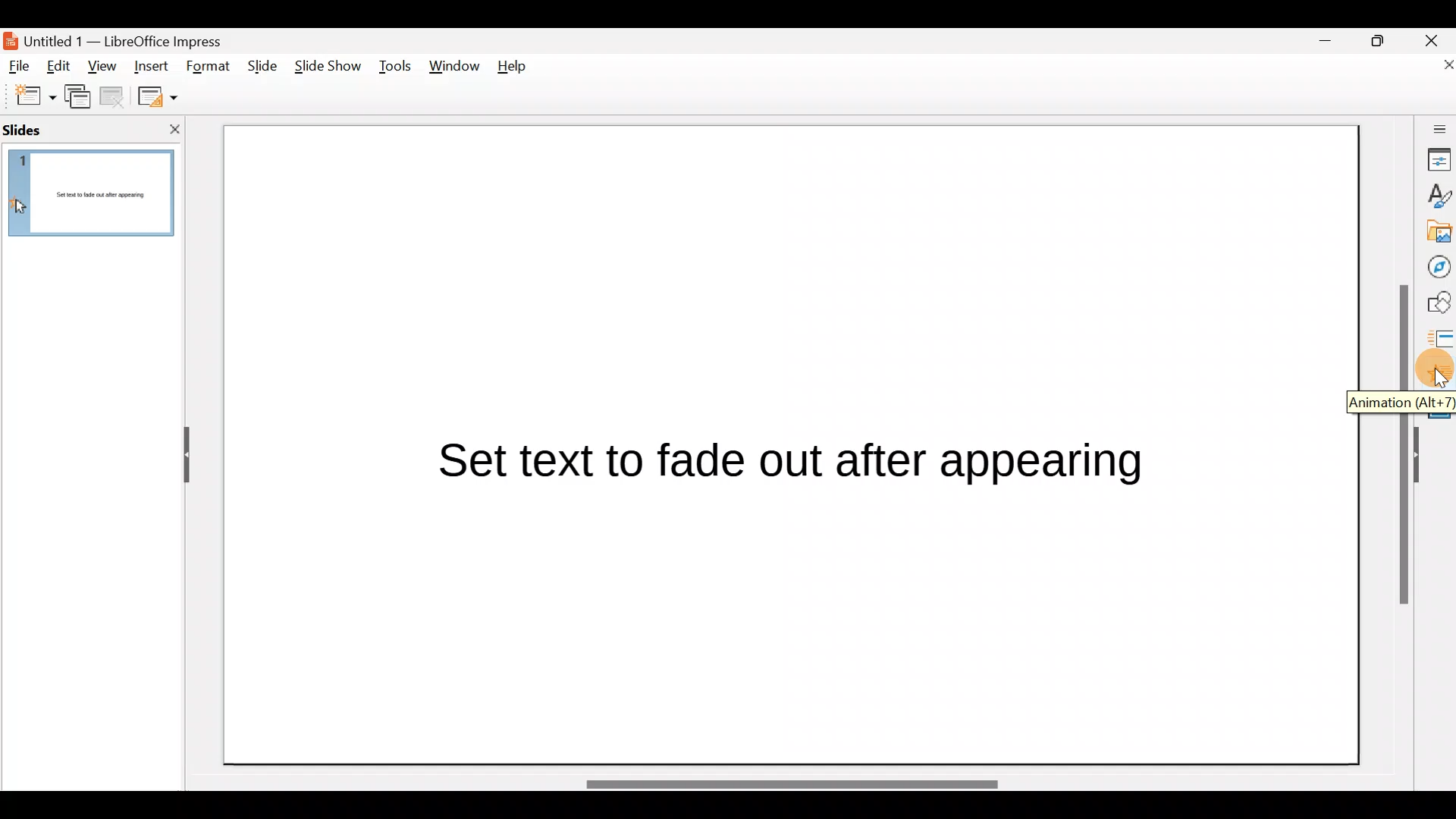 This screenshot has height=819, width=1456. What do you see at coordinates (1436, 232) in the screenshot?
I see `Gallery` at bounding box center [1436, 232].